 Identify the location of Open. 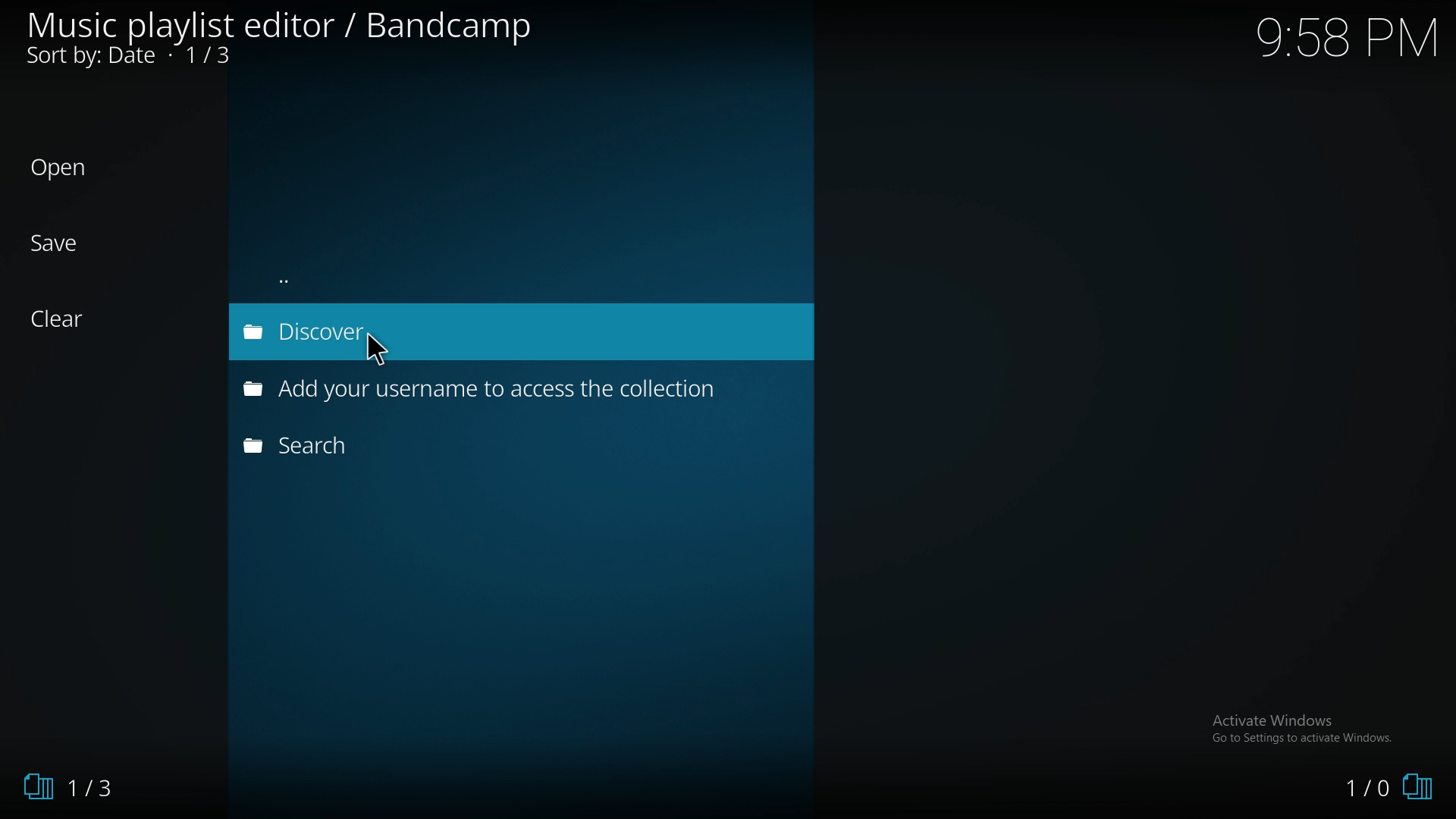
(59, 168).